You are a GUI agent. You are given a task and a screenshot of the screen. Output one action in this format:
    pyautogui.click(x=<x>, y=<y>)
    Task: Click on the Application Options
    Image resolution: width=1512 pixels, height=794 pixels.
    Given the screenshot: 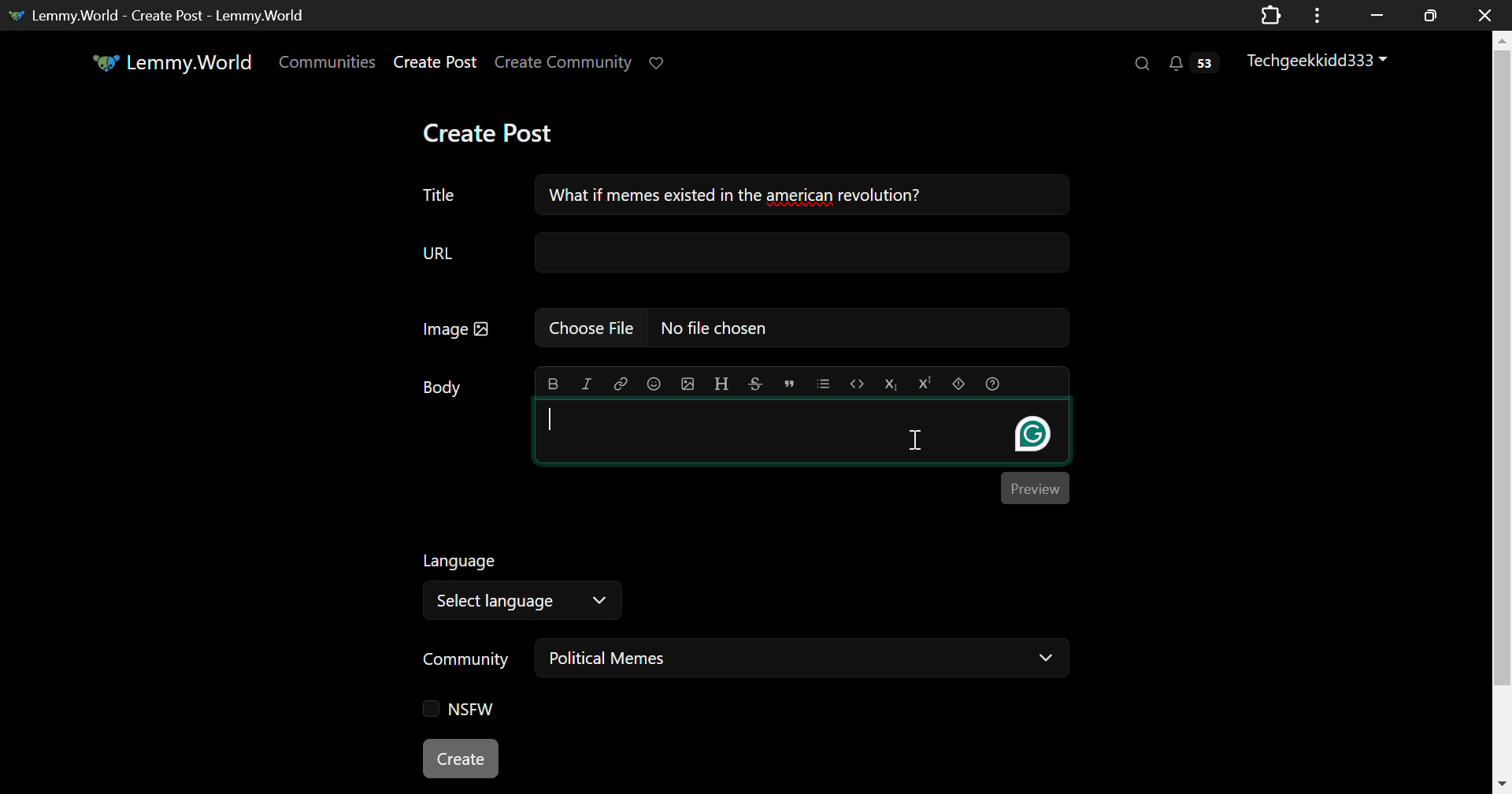 What is the action you would take?
    pyautogui.click(x=1317, y=14)
    